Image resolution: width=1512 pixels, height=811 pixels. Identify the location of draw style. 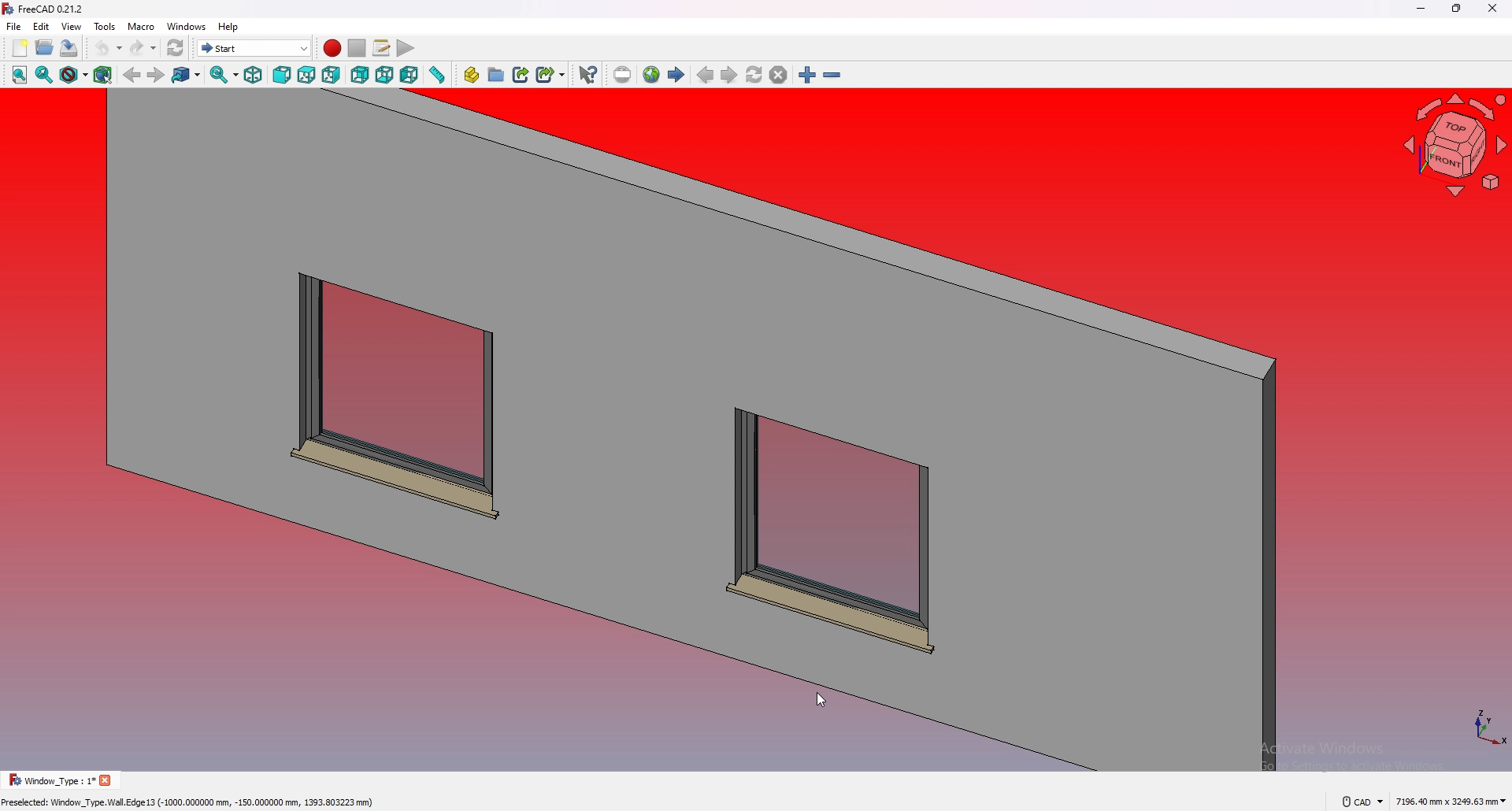
(74, 76).